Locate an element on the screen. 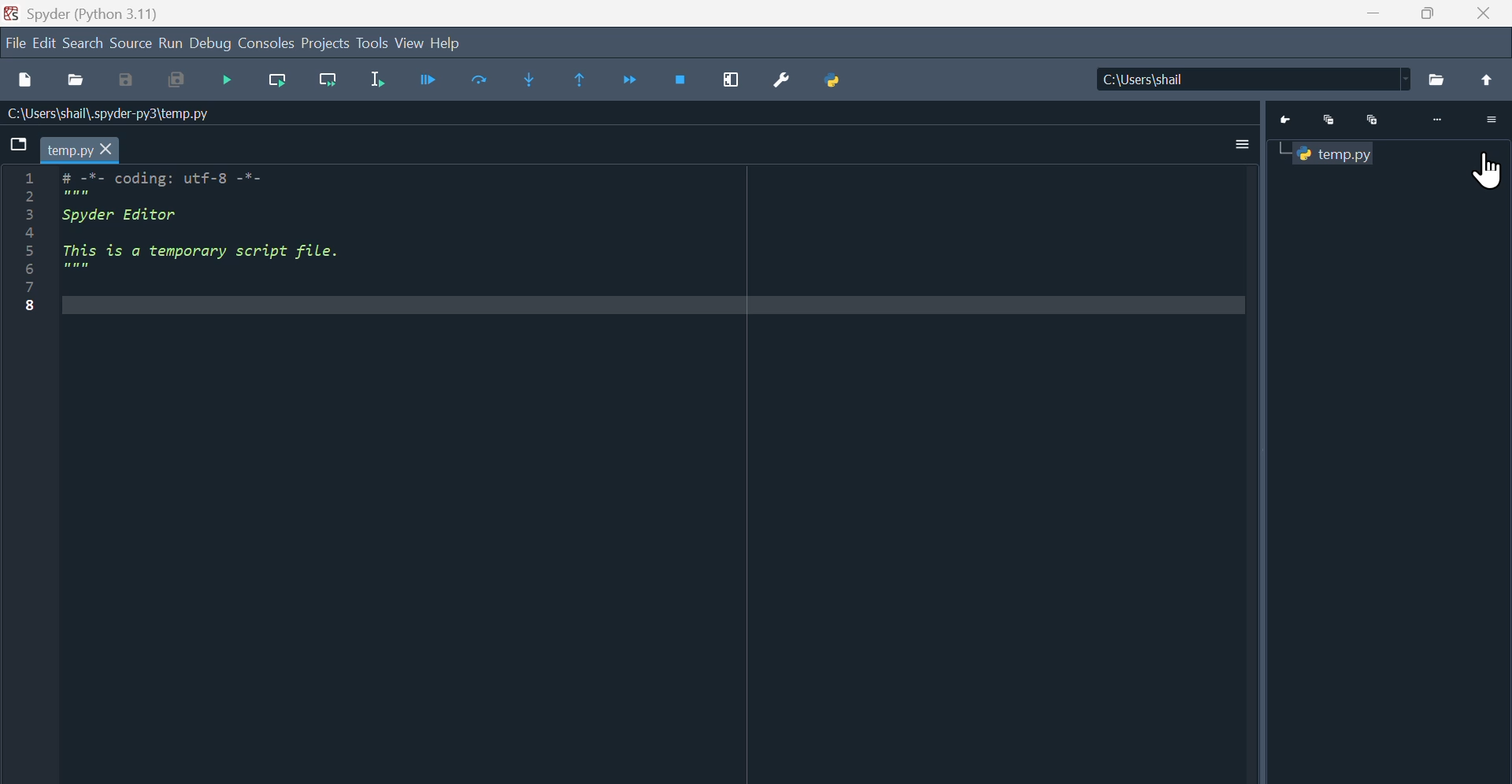 This screenshot has height=784, width=1512. Code is located at coordinates (222, 242).